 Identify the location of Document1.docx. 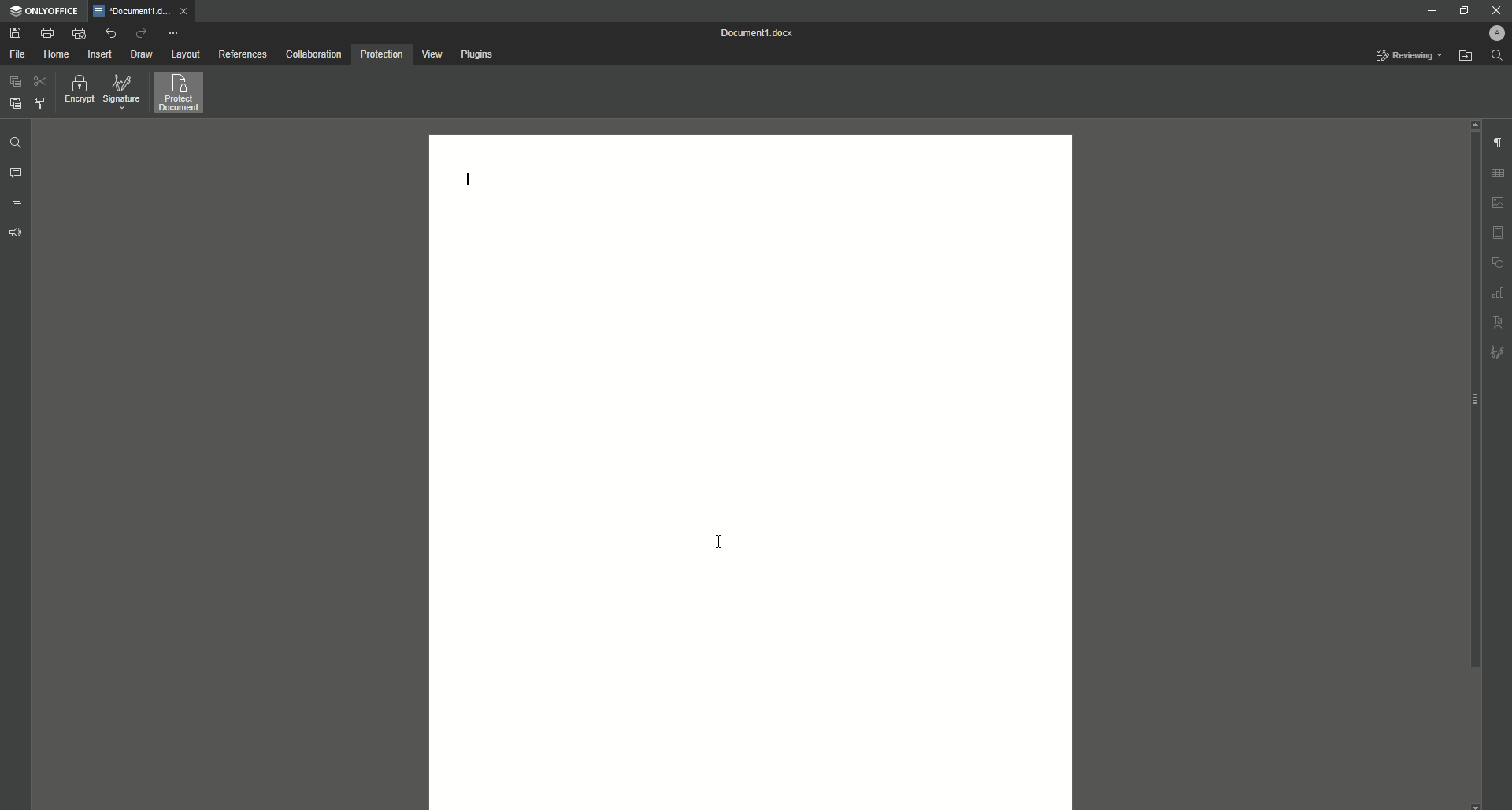
(131, 11).